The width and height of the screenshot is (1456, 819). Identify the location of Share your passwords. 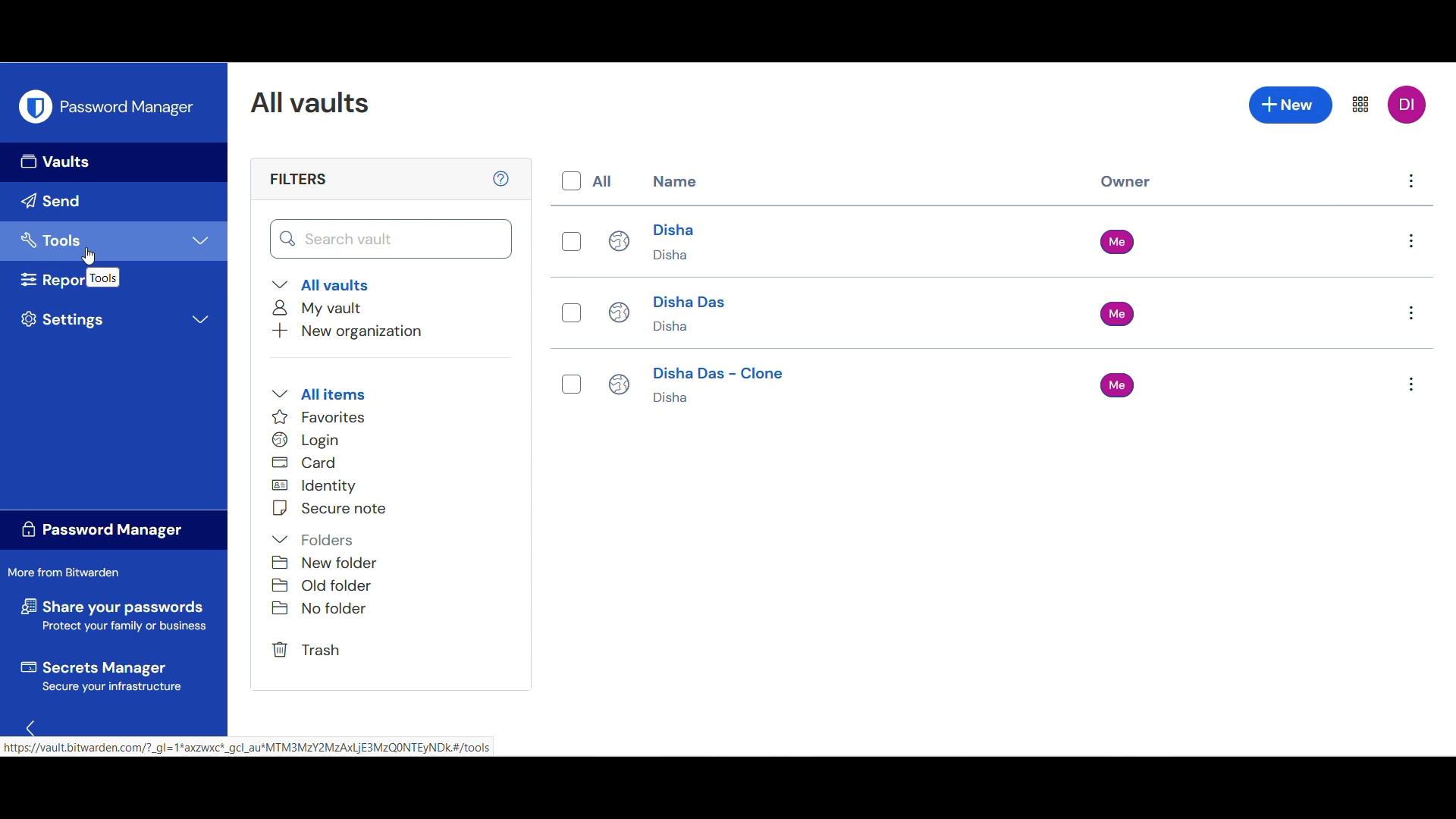
(114, 615).